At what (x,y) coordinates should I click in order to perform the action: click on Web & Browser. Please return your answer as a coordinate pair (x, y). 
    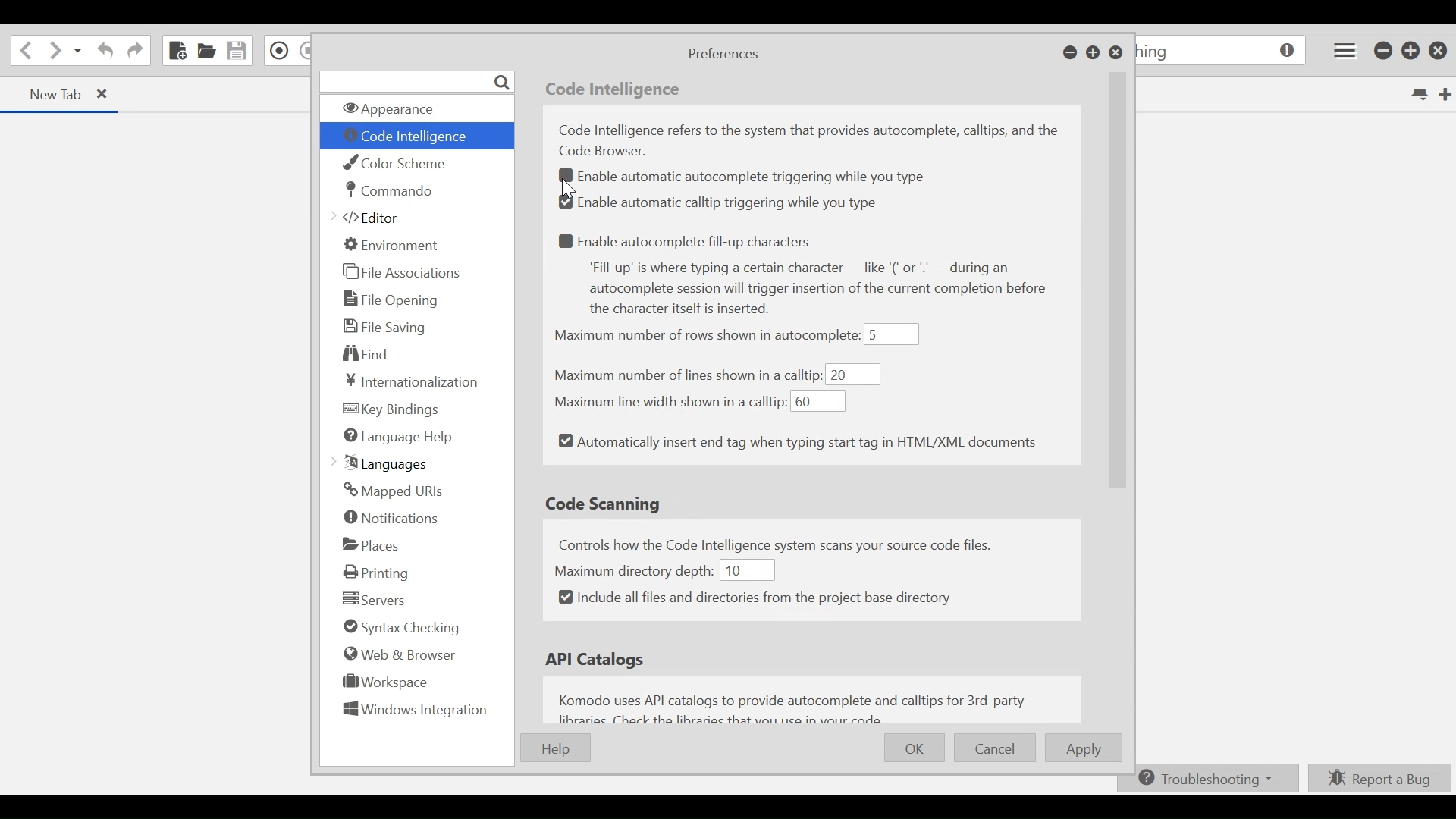
    Looking at the image, I should click on (398, 654).